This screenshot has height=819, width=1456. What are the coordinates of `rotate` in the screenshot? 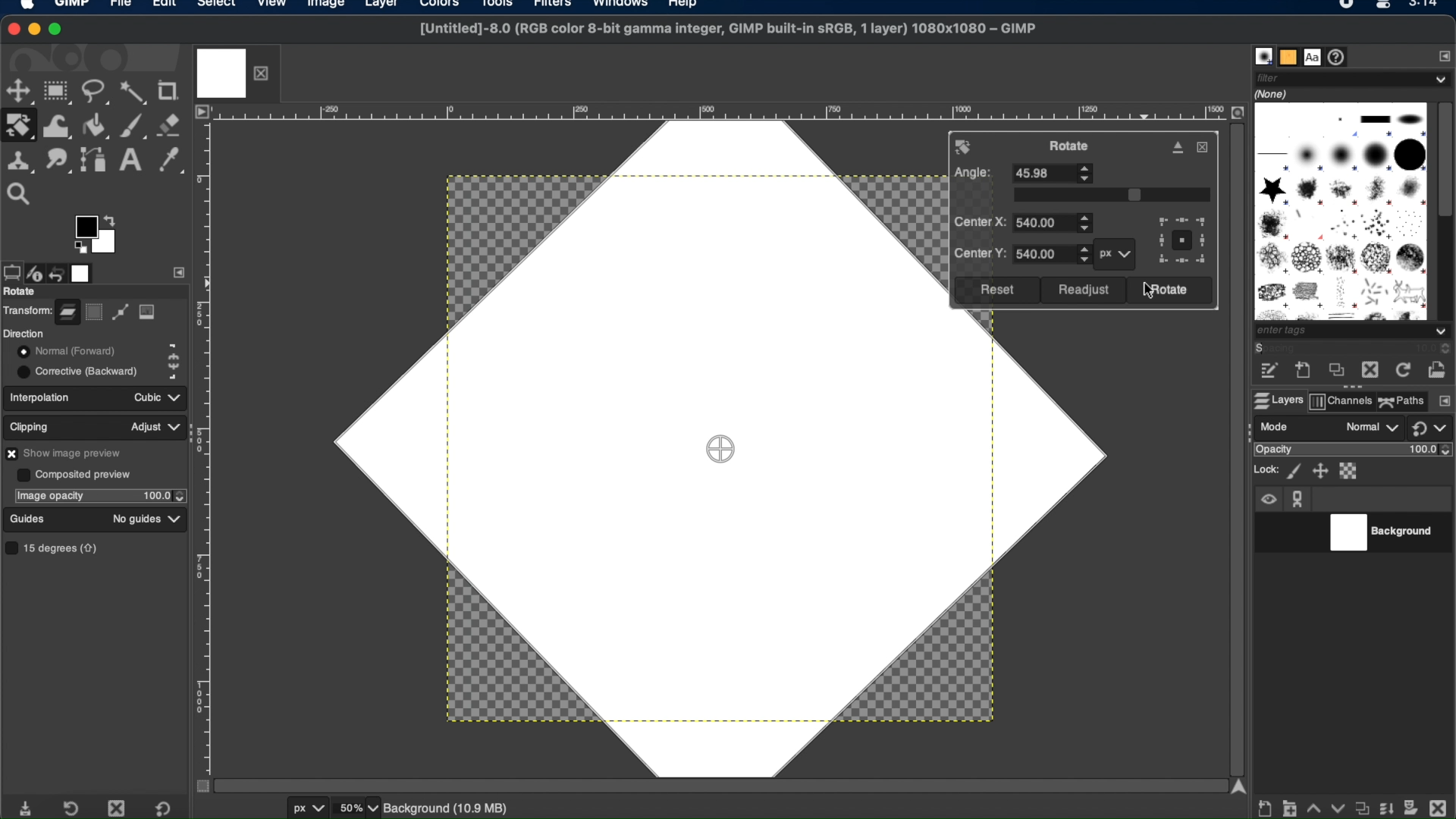 It's located at (965, 147).